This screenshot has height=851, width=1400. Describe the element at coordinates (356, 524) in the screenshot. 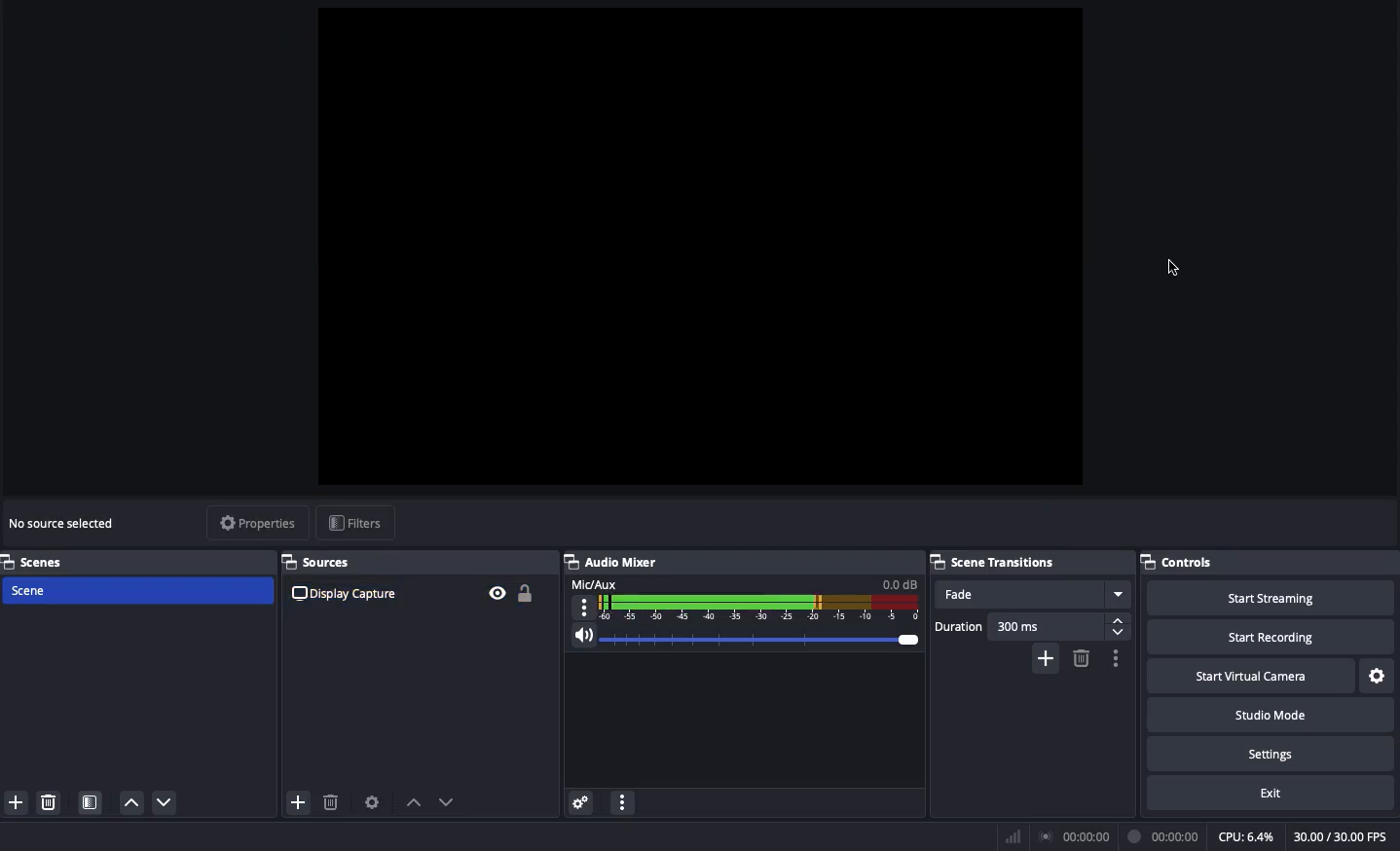

I see `Filters` at that location.